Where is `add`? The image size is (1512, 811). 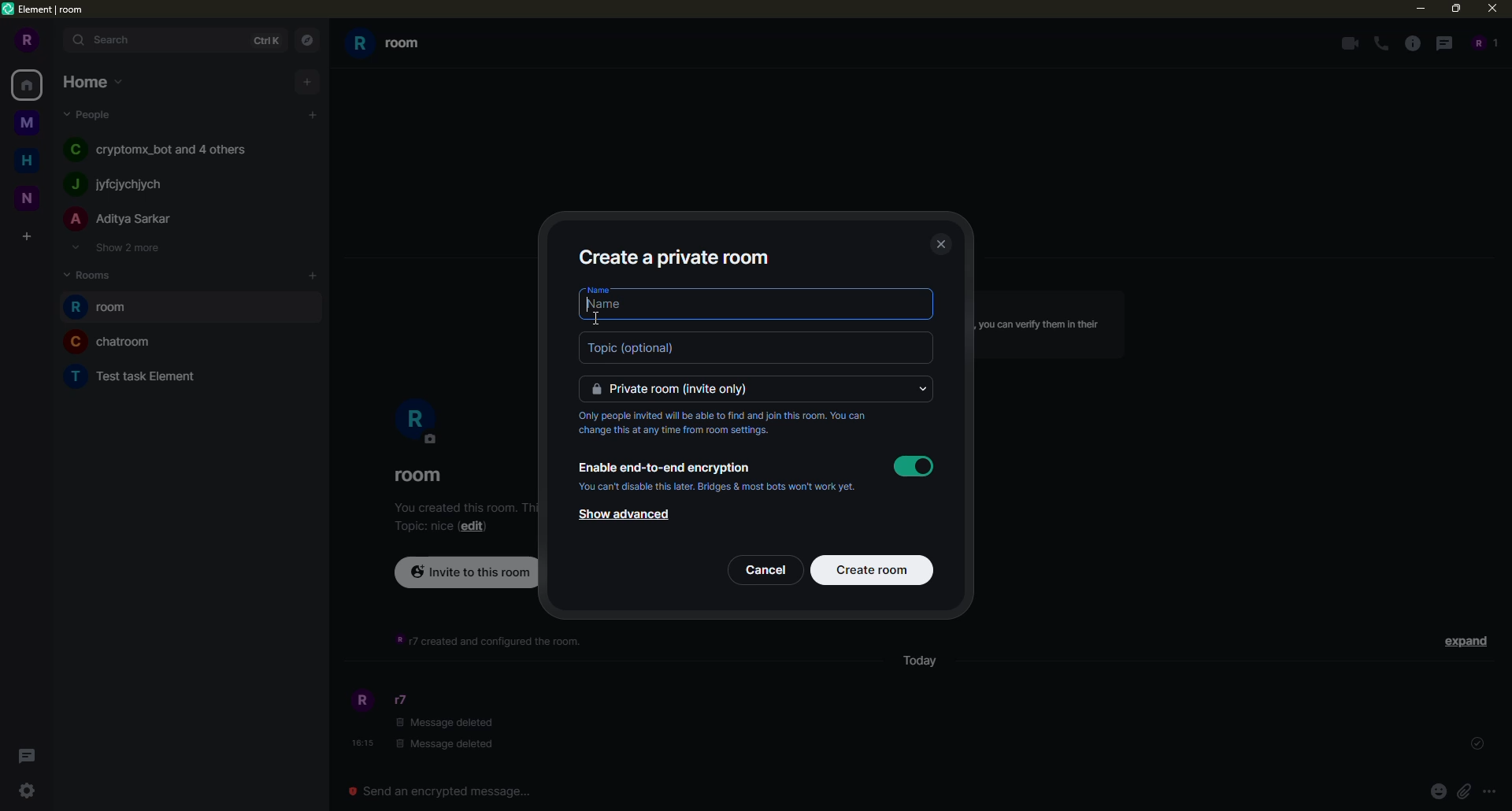
add is located at coordinates (314, 276).